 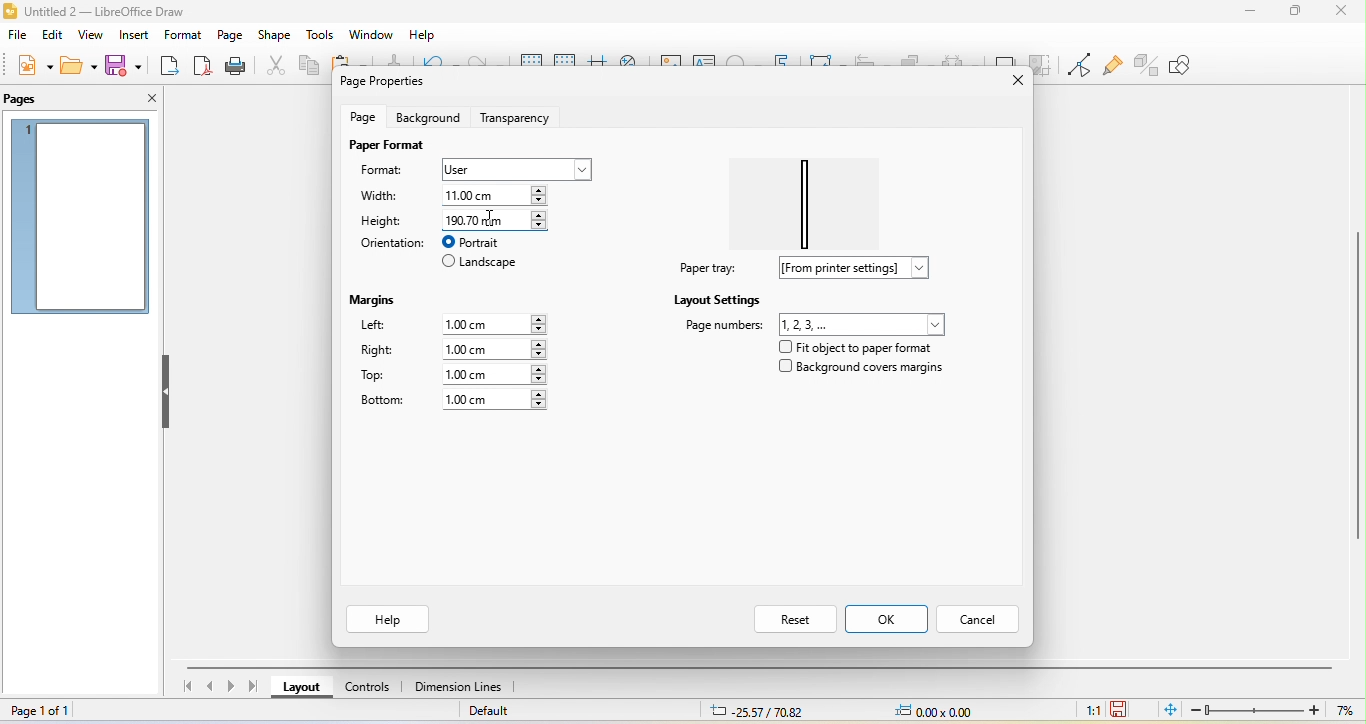 I want to click on page properties, so click(x=388, y=83).